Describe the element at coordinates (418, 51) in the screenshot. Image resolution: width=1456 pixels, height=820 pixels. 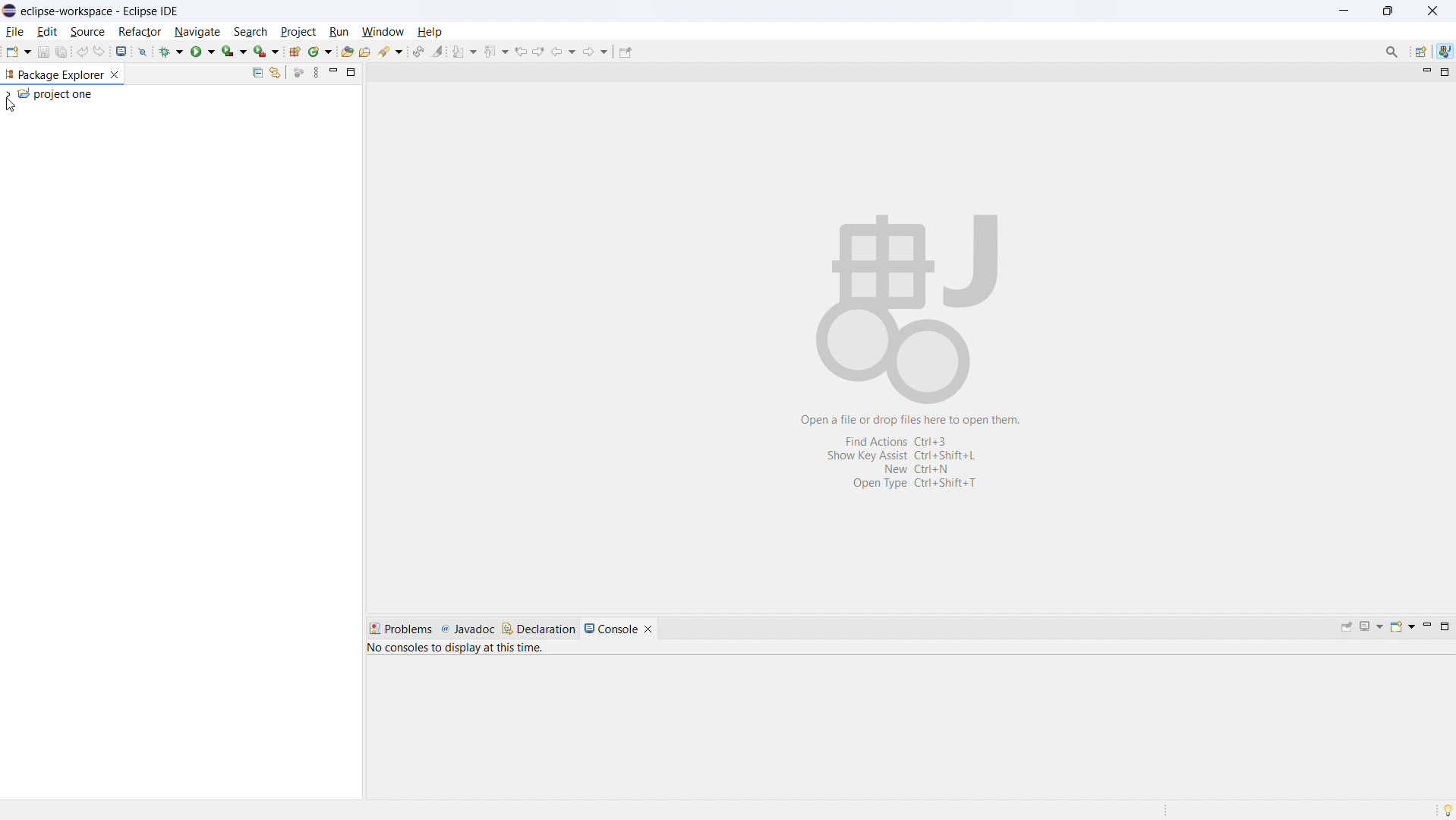
I see `toggle ant editor auto reconcile` at that location.